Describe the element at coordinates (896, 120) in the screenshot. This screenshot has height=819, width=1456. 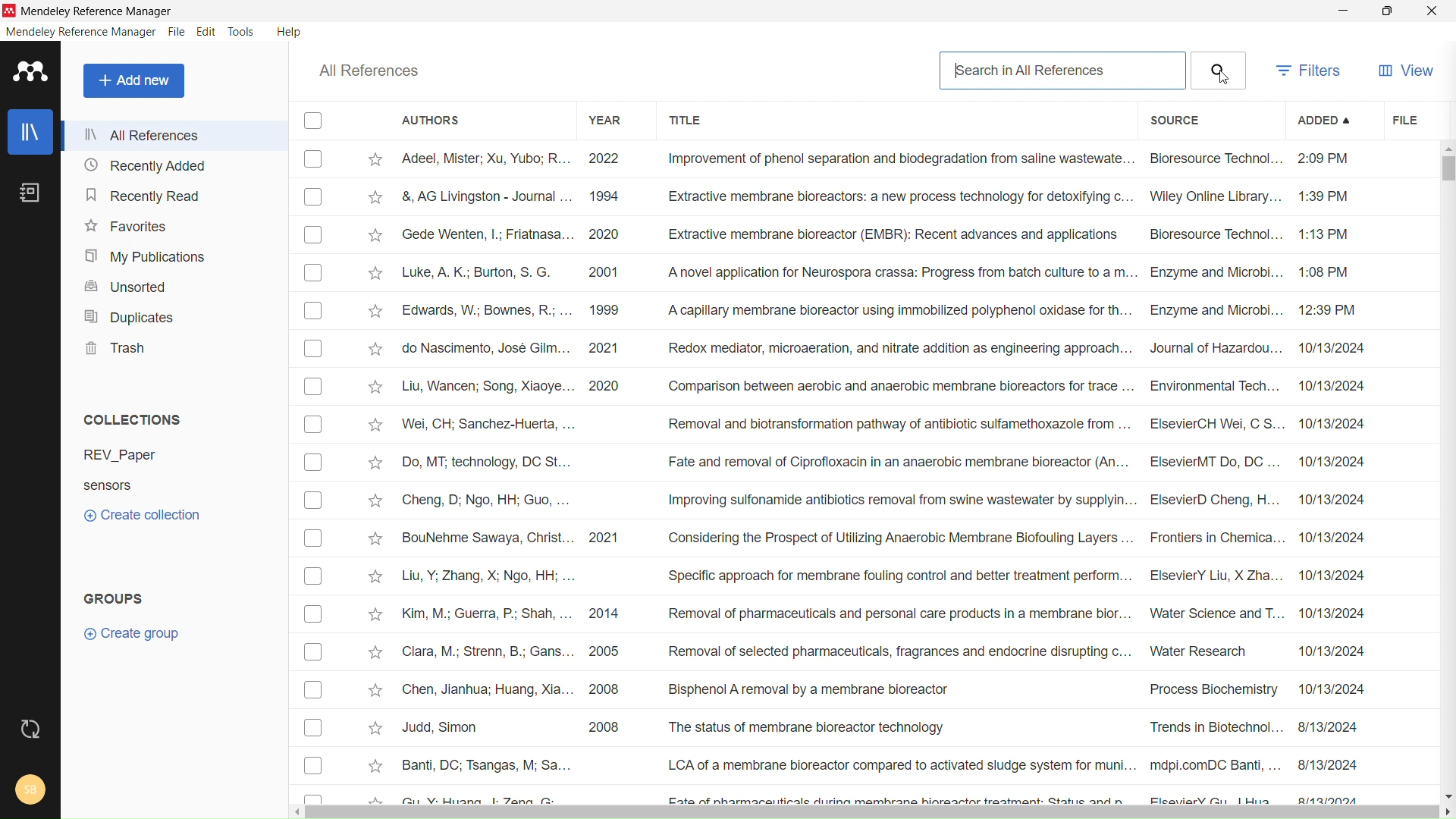
I see `title` at that location.